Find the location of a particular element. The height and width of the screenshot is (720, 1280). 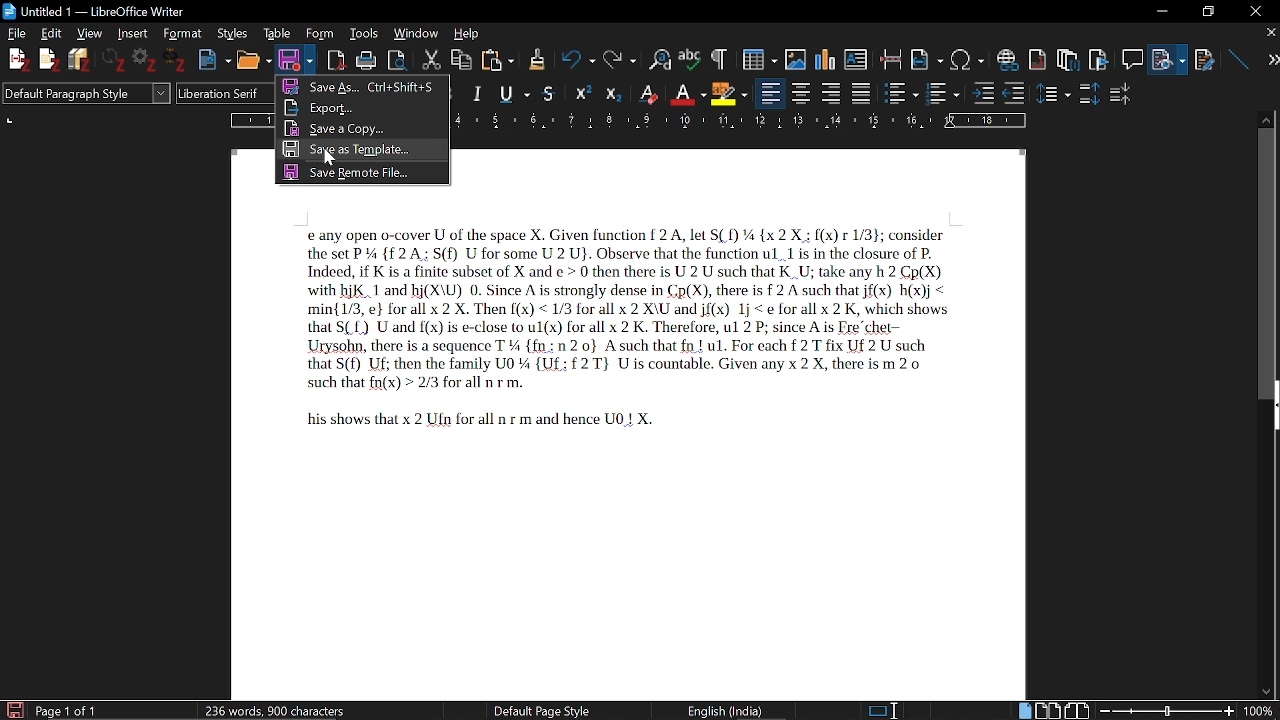

single page is located at coordinates (1025, 710).